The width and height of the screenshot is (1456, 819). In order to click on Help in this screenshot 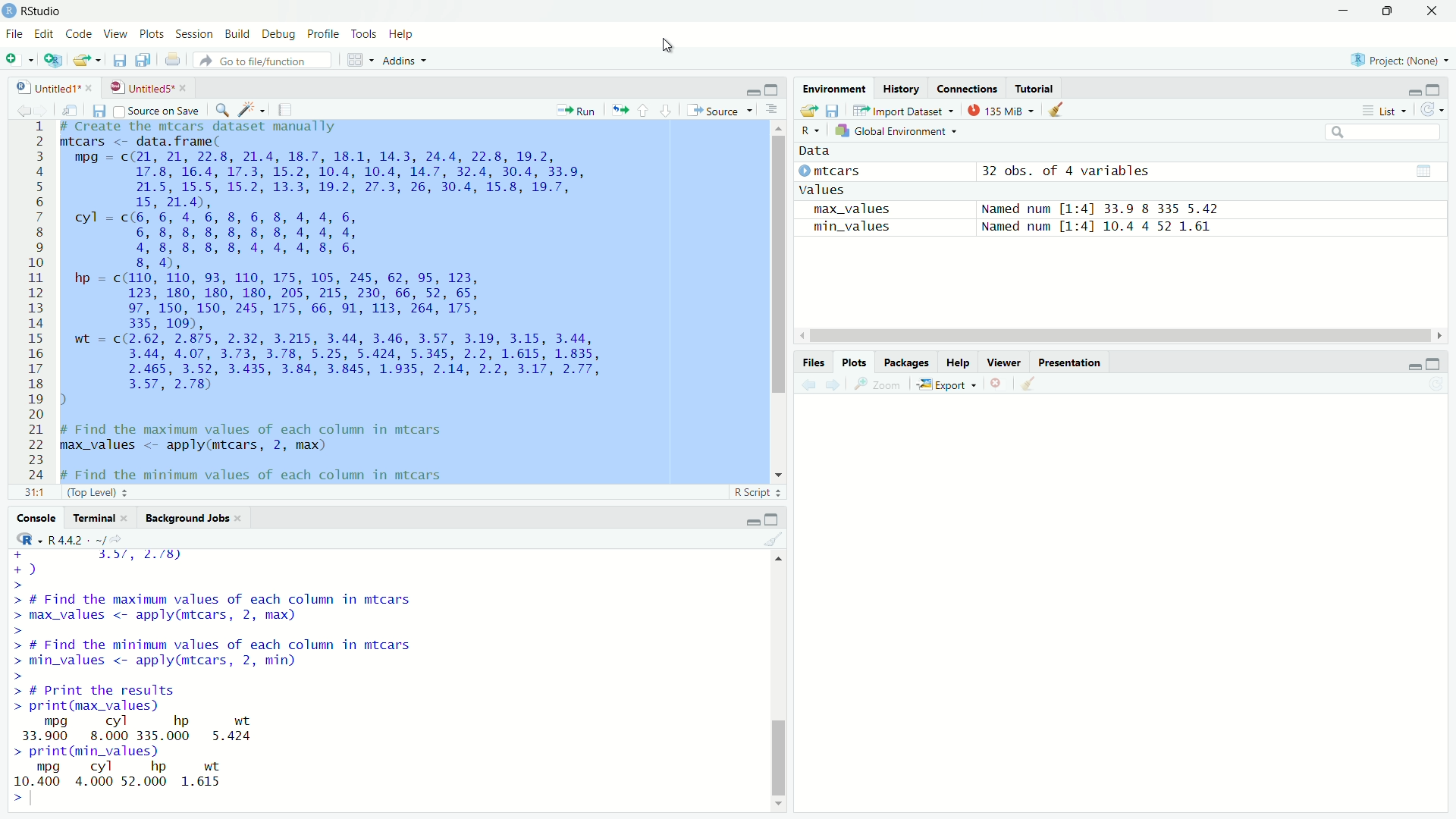, I will do `click(406, 33)`.